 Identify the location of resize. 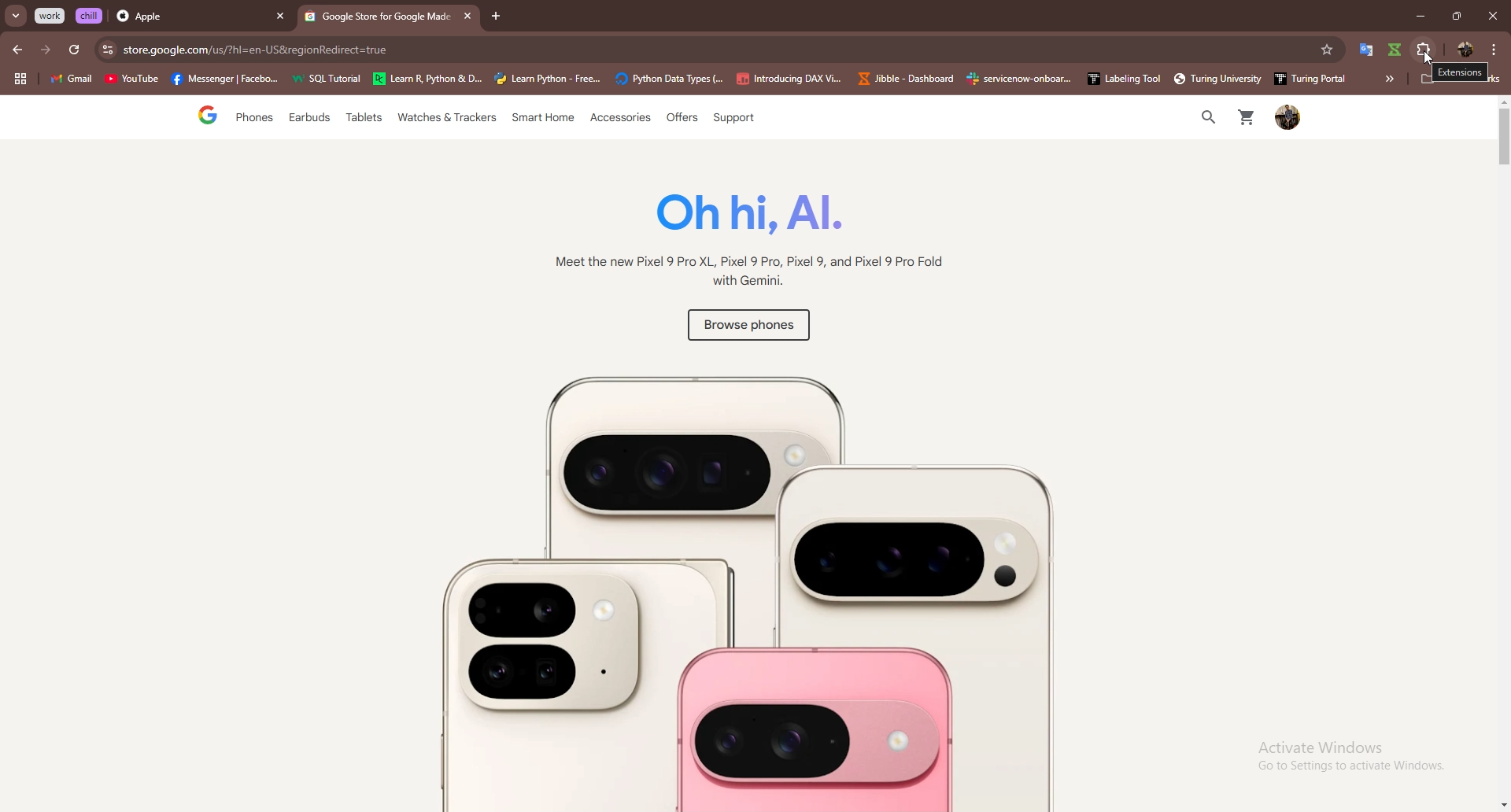
(1456, 16).